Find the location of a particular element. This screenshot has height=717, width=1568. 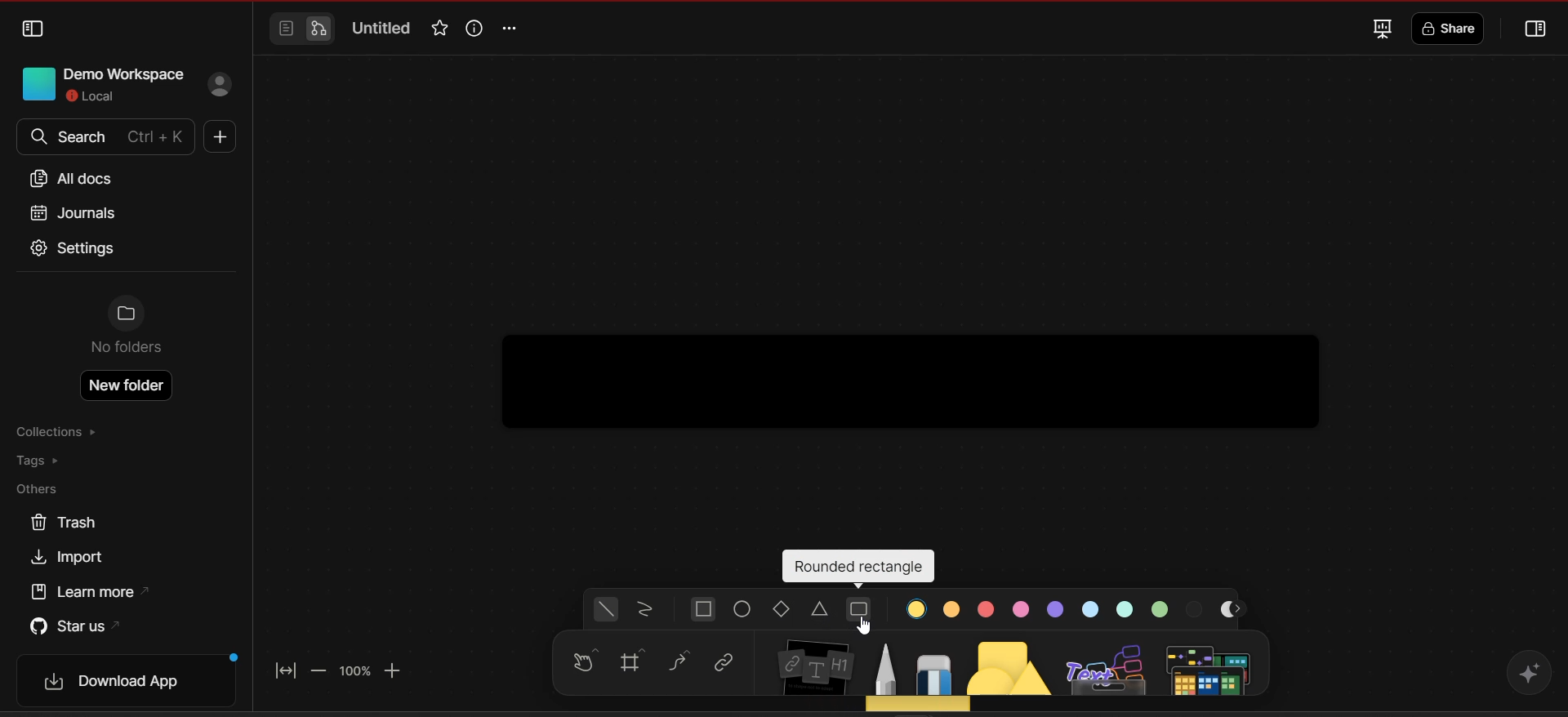

fit to screen is located at coordinates (289, 668).